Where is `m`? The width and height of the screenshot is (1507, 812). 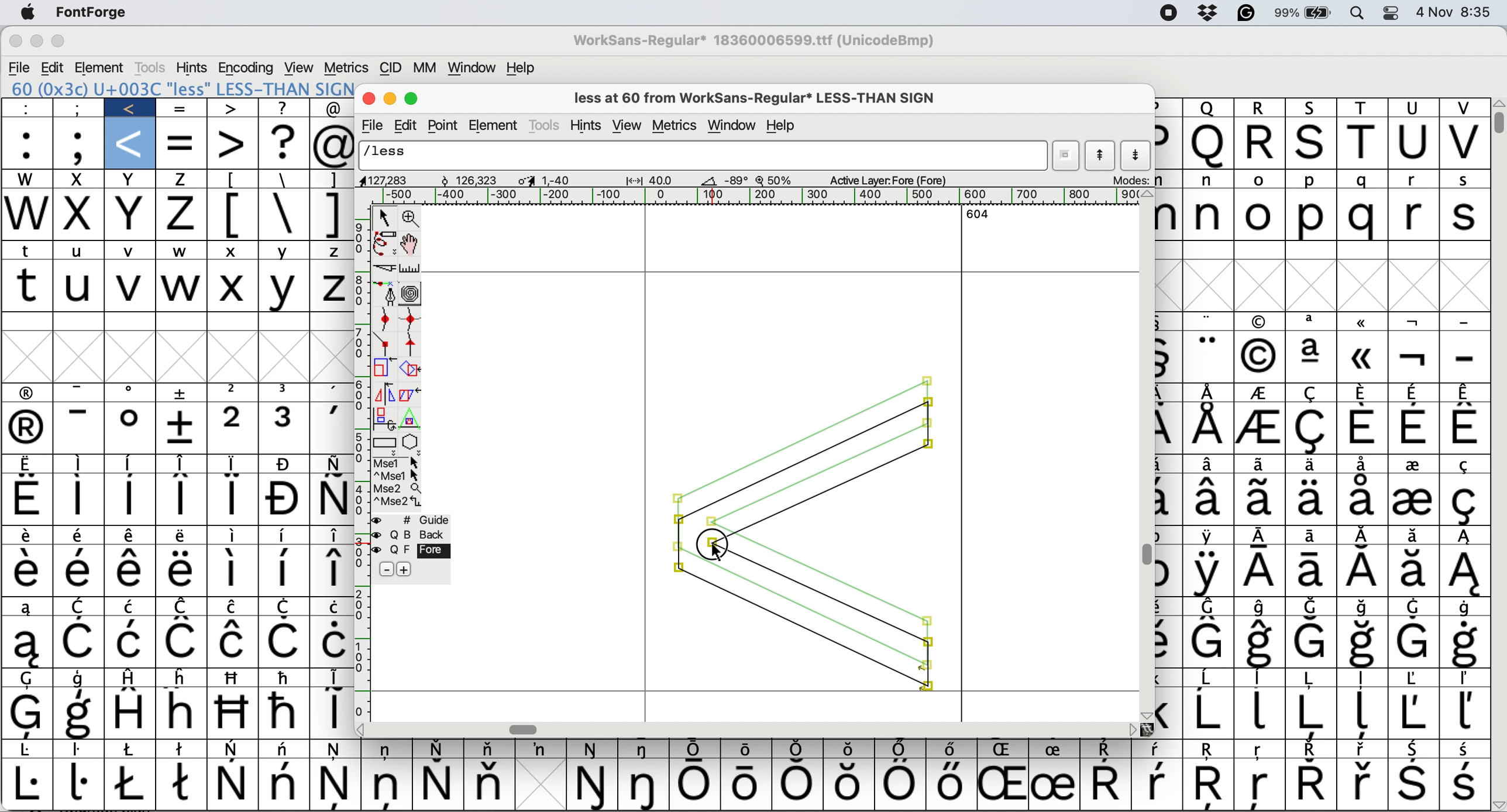
m is located at coordinates (1168, 181).